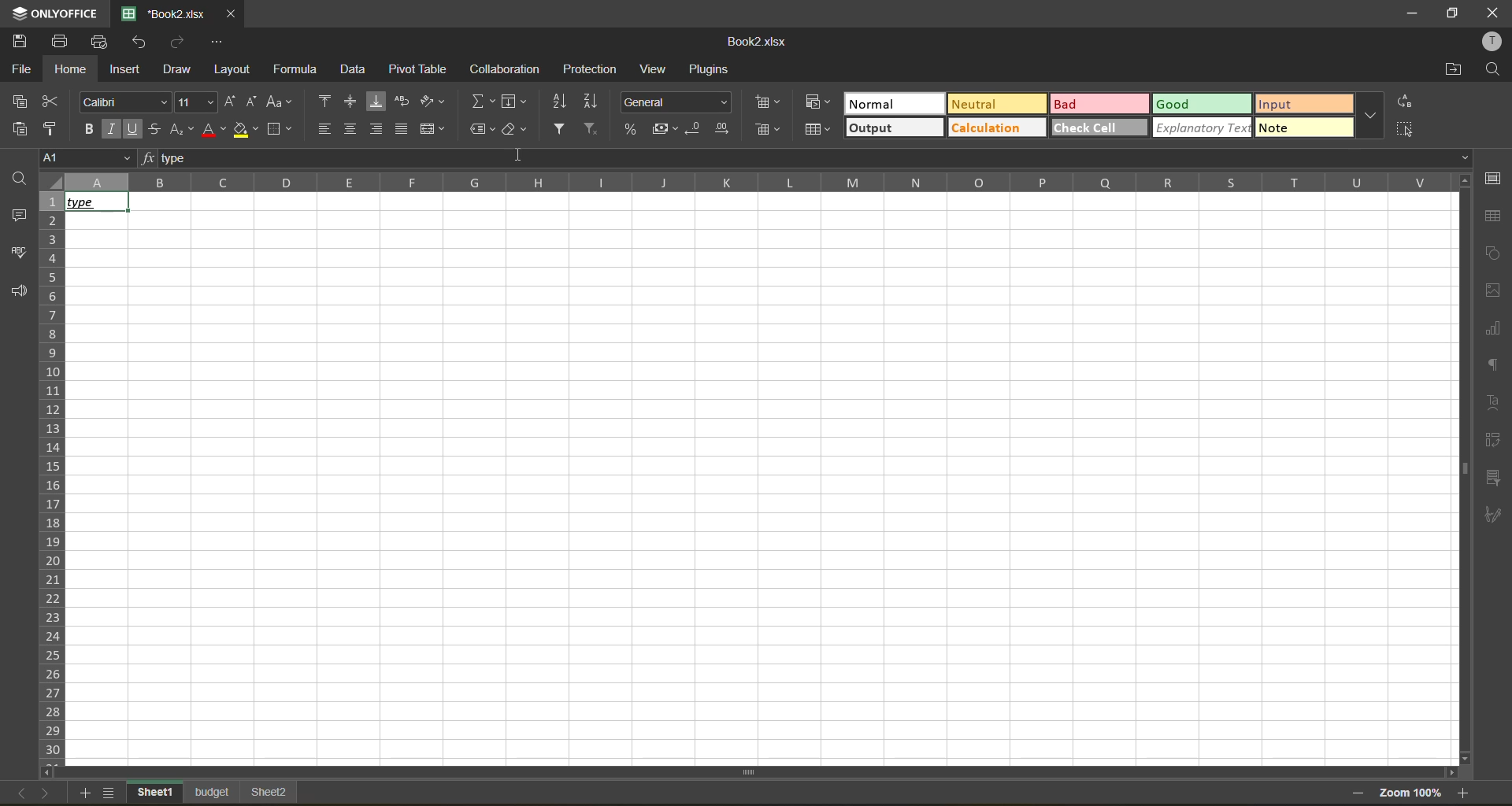 This screenshot has width=1512, height=806. What do you see at coordinates (751, 180) in the screenshot?
I see `column names` at bounding box center [751, 180].